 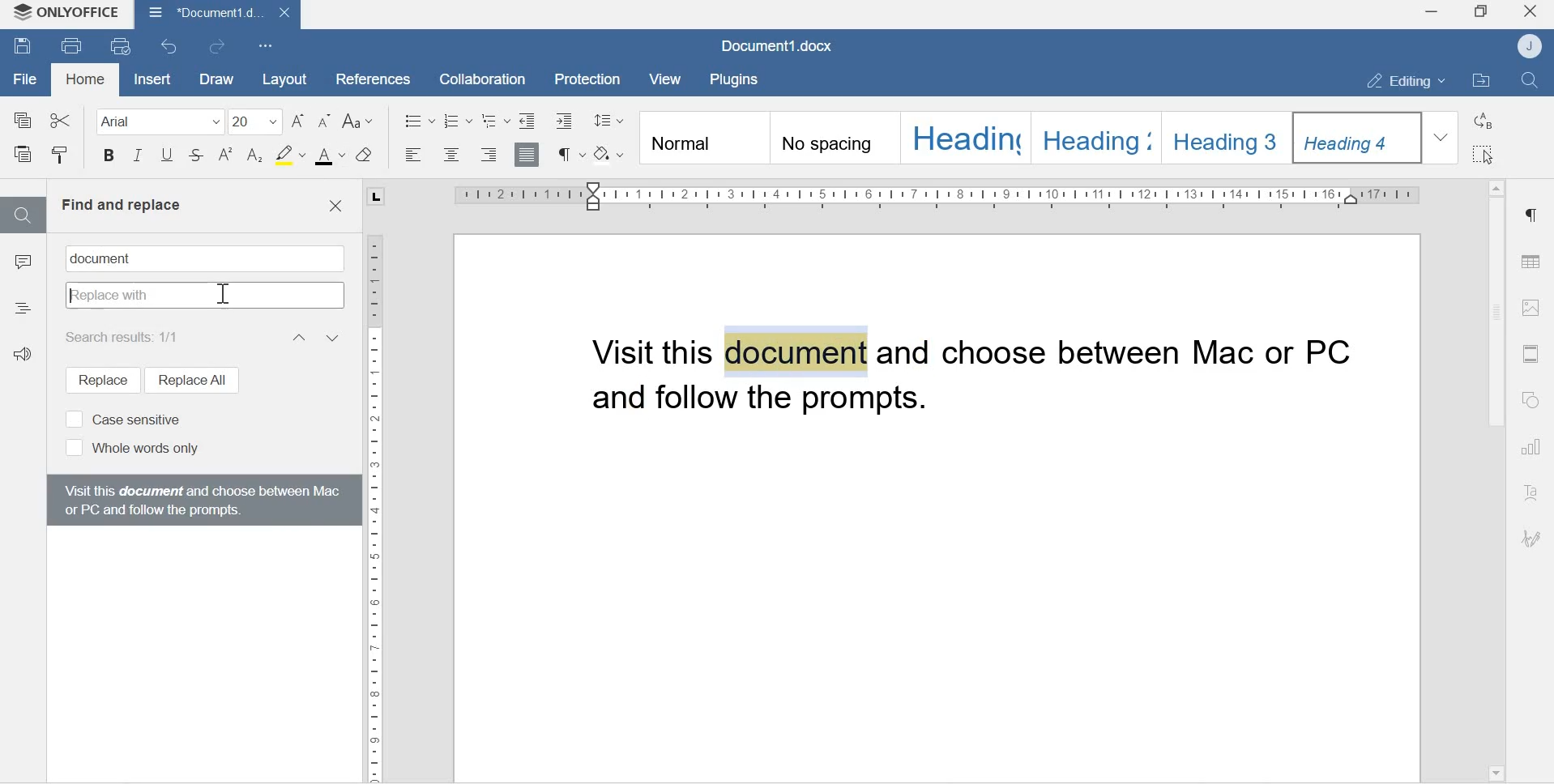 I want to click on Account, so click(x=1532, y=46).